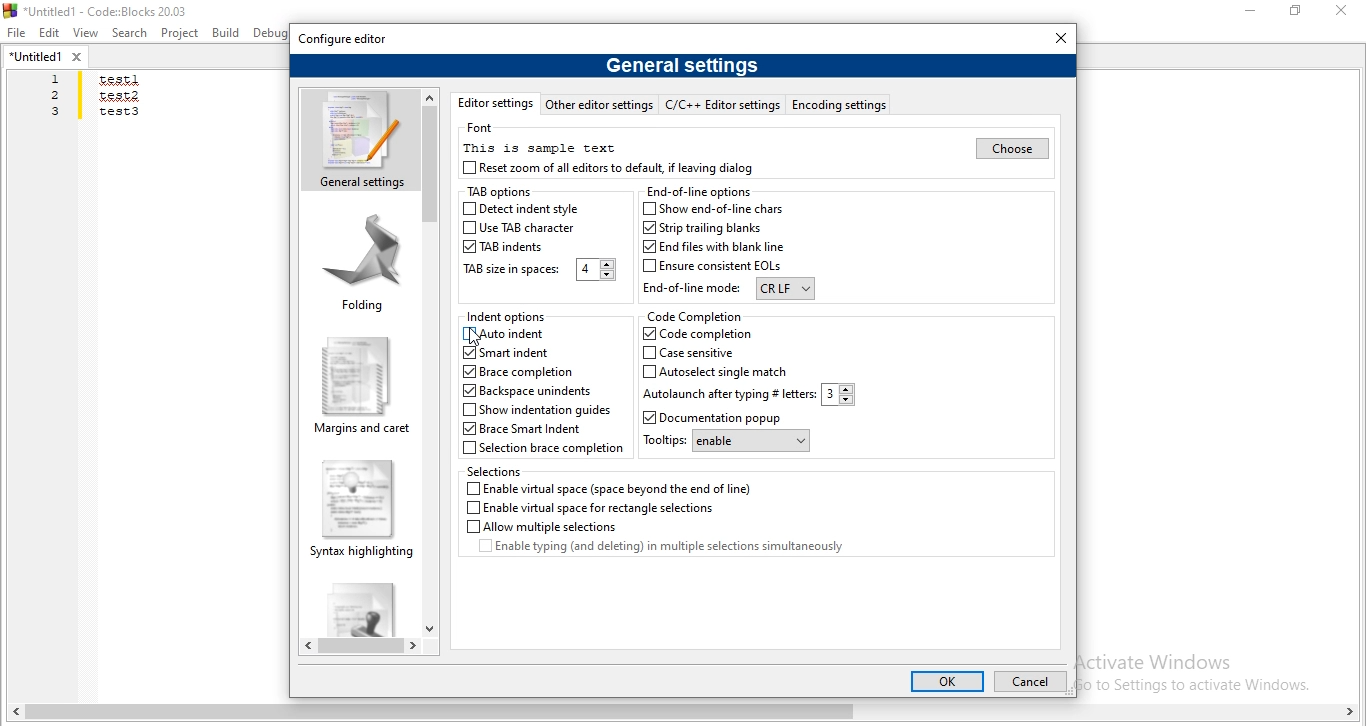 The height and width of the screenshot is (726, 1366). What do you see at coordinates (725, 104) in the screenshot?
I see `C/C++ Editor settings ` at bounding box center [725, 104].